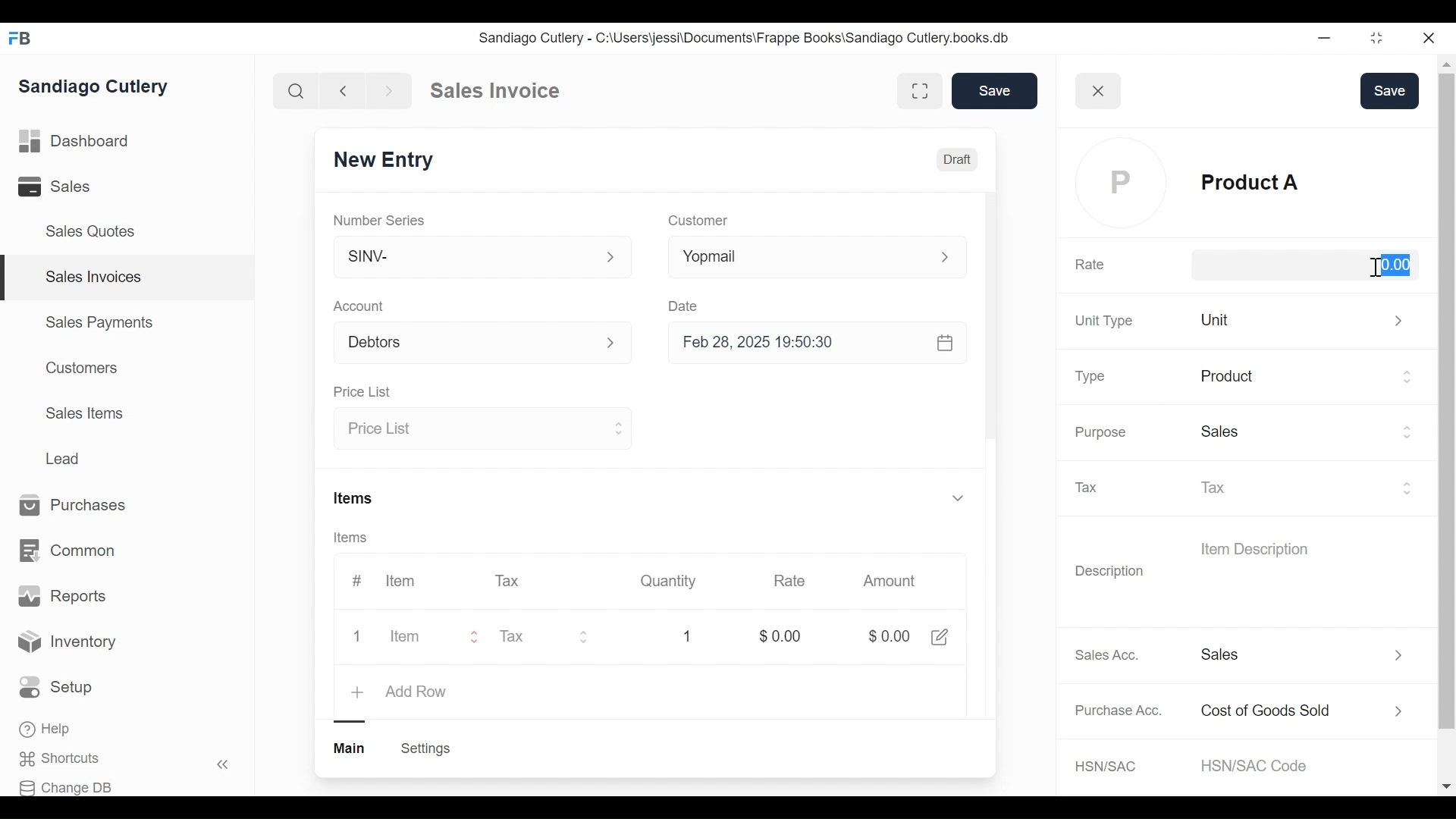 The height and width of the screenshot is (819, 1456). What do you see at coordinates (789, 581) in the screenshot?
I see `Rate` at bounding box center [789, 581].